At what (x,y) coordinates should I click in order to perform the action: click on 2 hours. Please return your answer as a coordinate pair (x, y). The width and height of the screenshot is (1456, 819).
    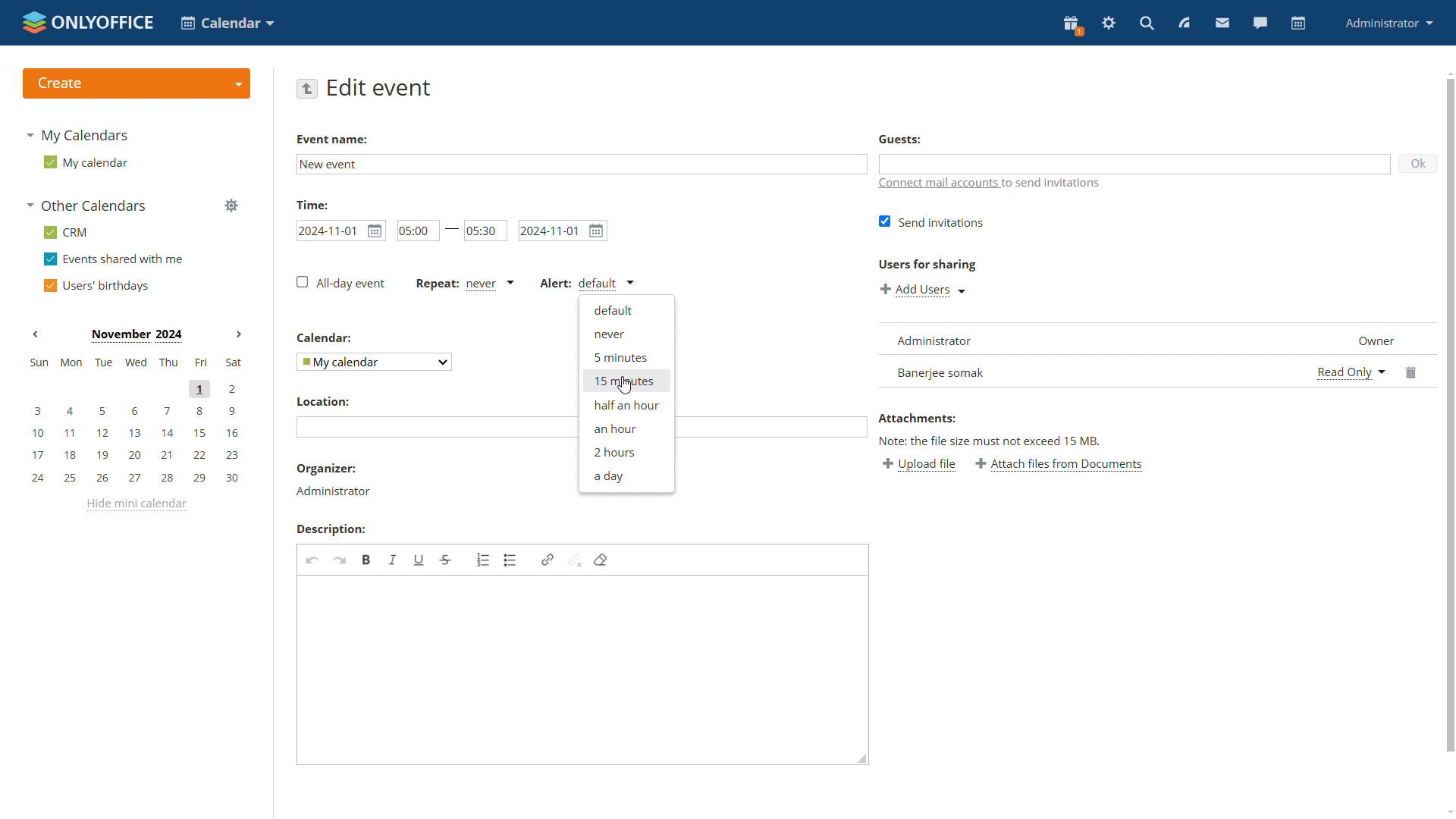
    Looking at the image, I should click on (626, 451).